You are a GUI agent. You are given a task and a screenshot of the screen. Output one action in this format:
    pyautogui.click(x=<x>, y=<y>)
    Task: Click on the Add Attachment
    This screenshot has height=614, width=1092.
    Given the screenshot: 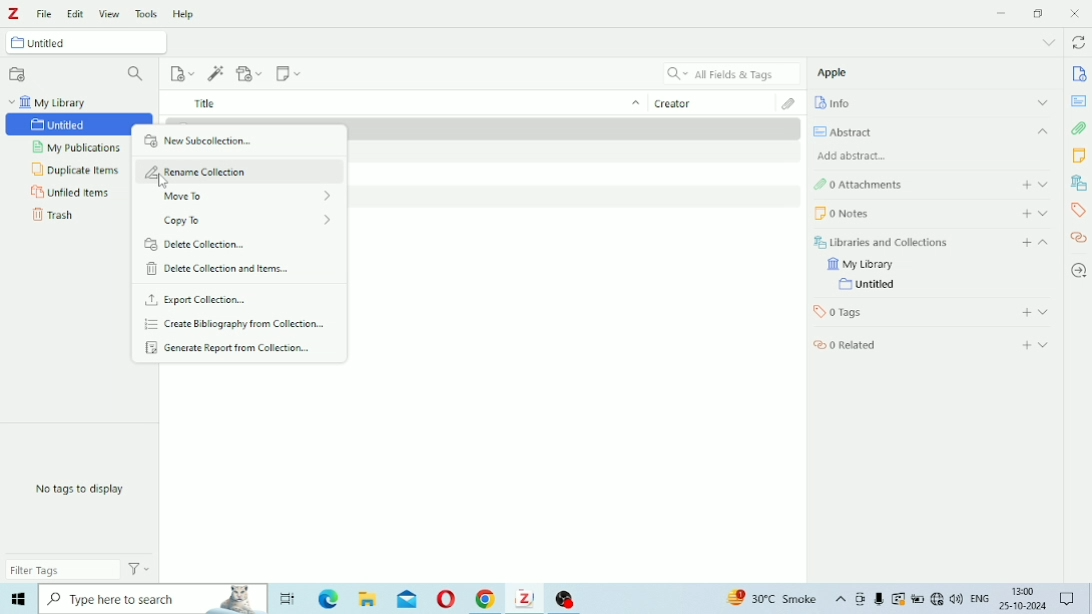 What is the action you would take?
    pyautogui.click(x=249, y=73)
    